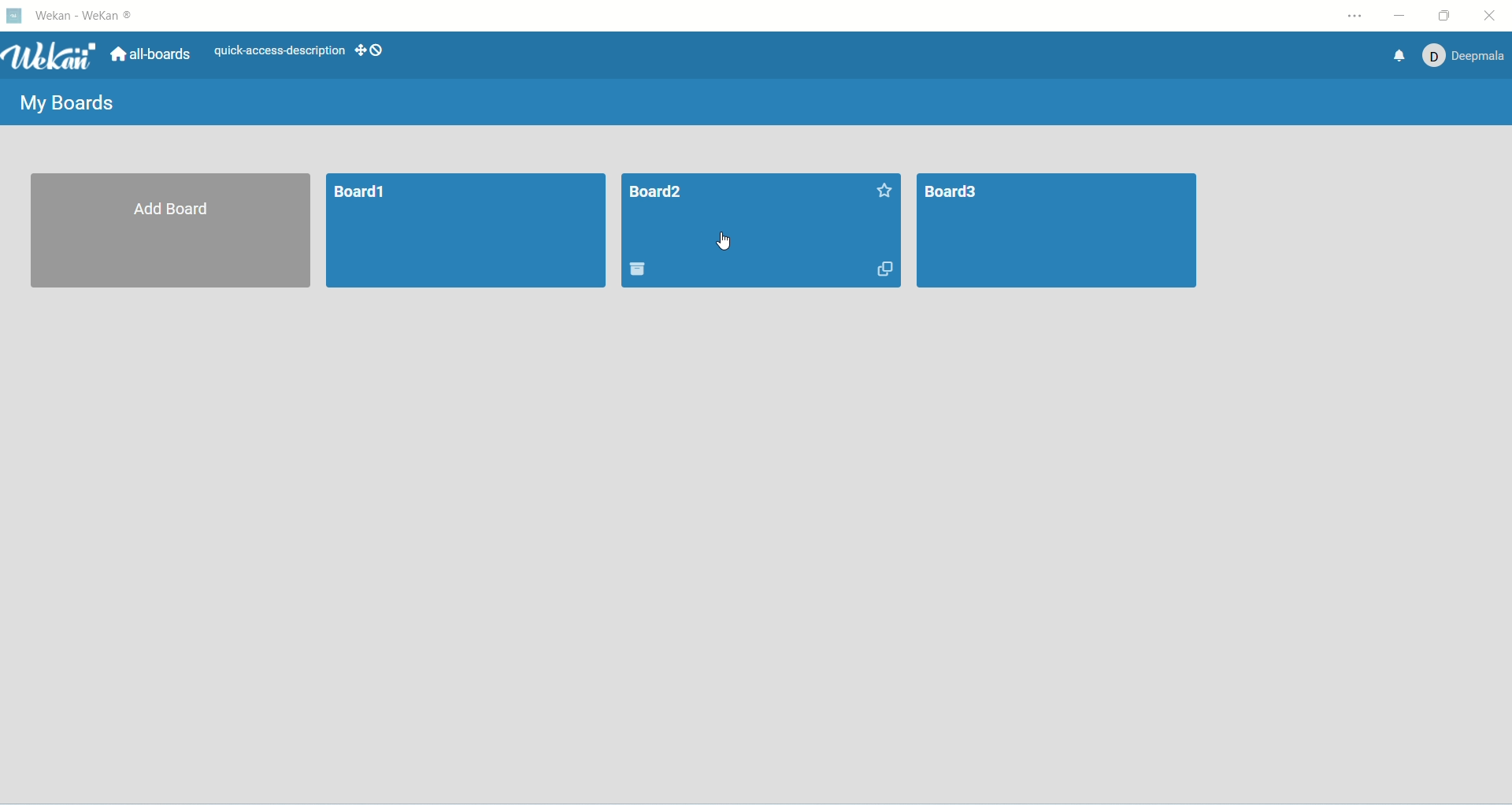 The height and width of the screenshot is (805, 1512). What do you see at coordinates (1354, 17) in the screenshot?
I see `settings and more` at bounding box center [1354, 17].